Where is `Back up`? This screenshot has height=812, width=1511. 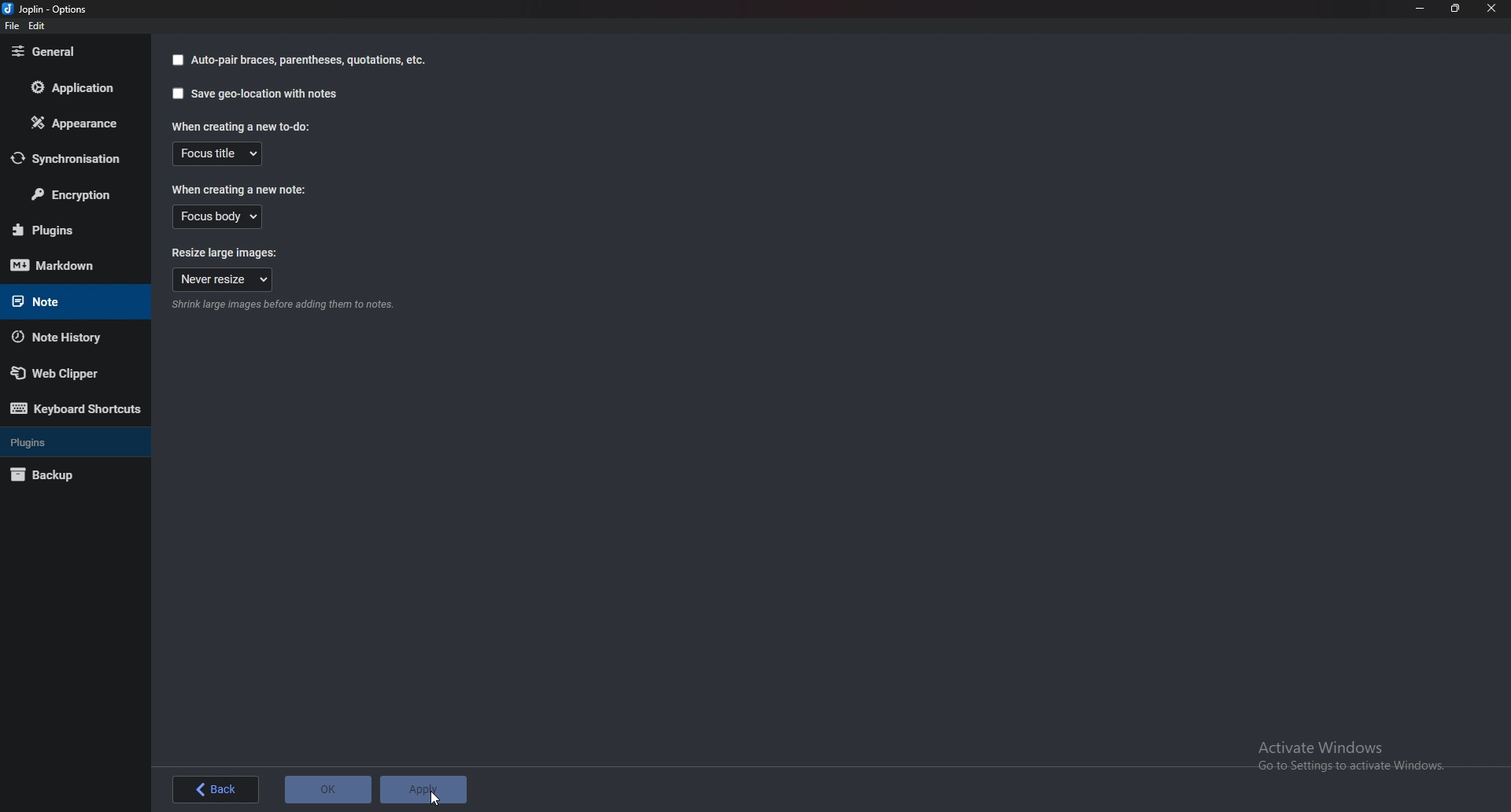 Back up is located at coordinates (65, 474).